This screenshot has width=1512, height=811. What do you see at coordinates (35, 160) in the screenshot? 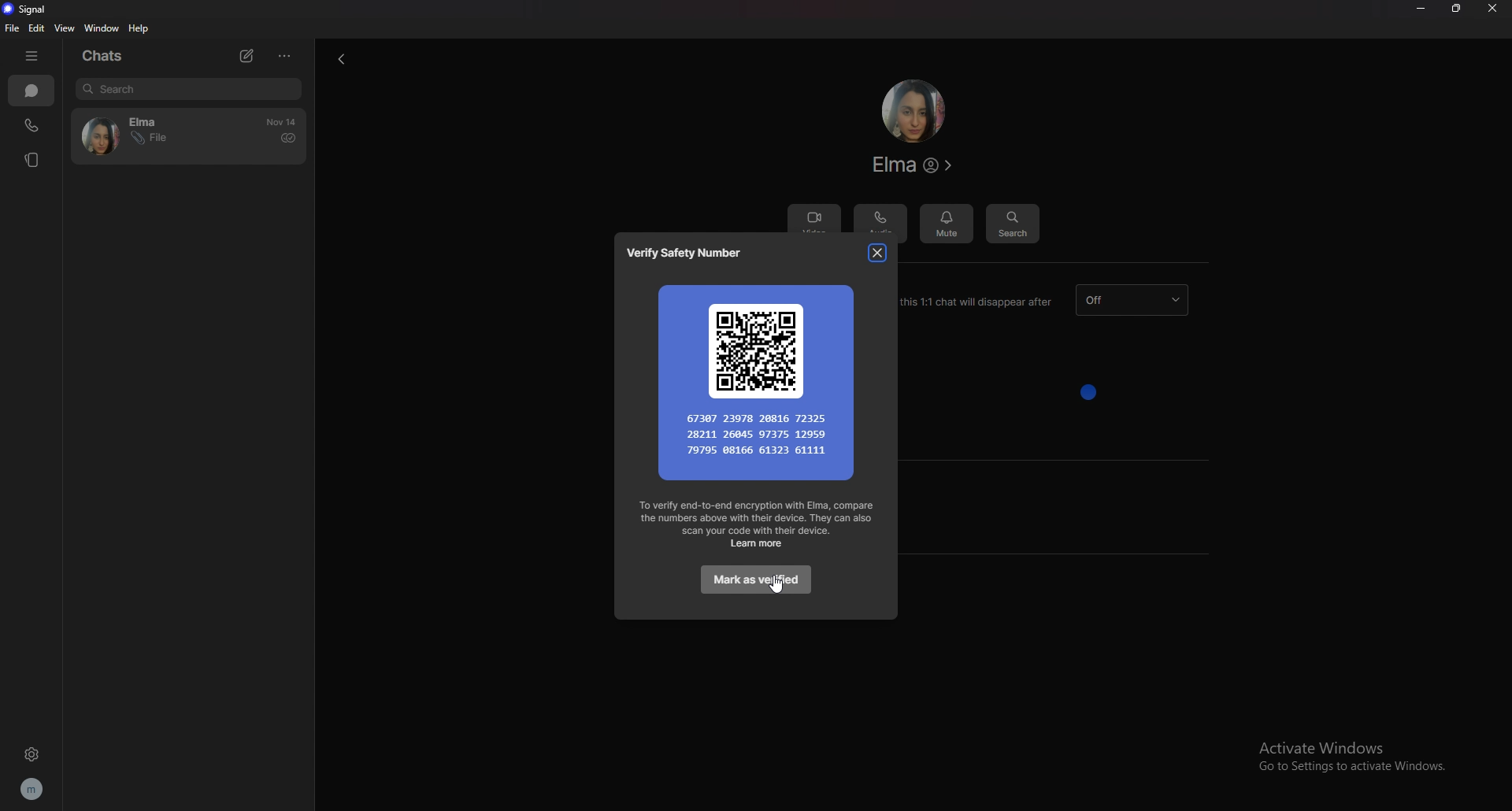
I see `stories` at bounding box center [35, 160].